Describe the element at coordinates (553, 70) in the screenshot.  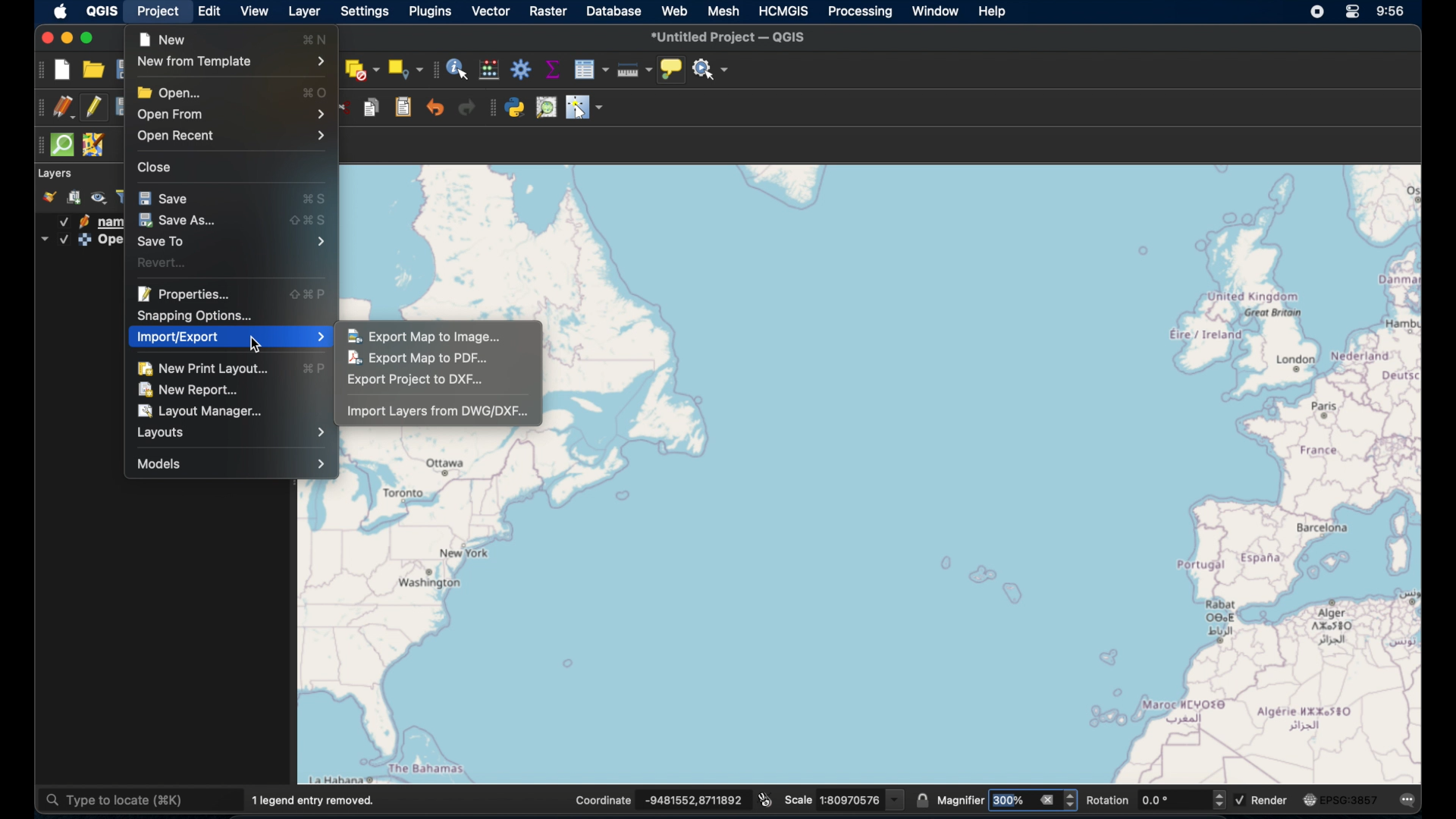
I see `show statistical summary` at that location.